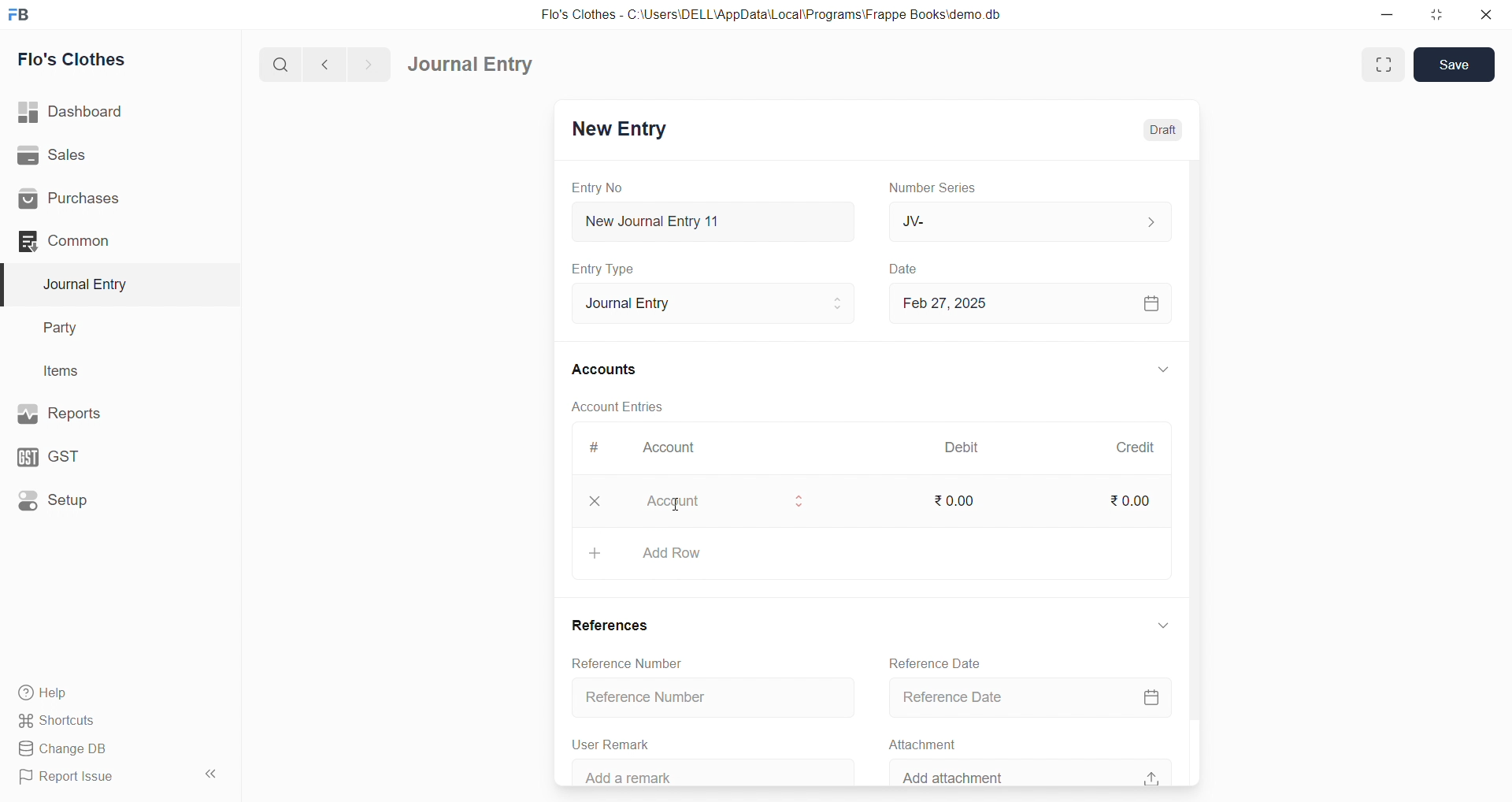 Image resolution: width=1512 pixels, height=802 pixels. I want to click on Reference Date, so click(935, 662).